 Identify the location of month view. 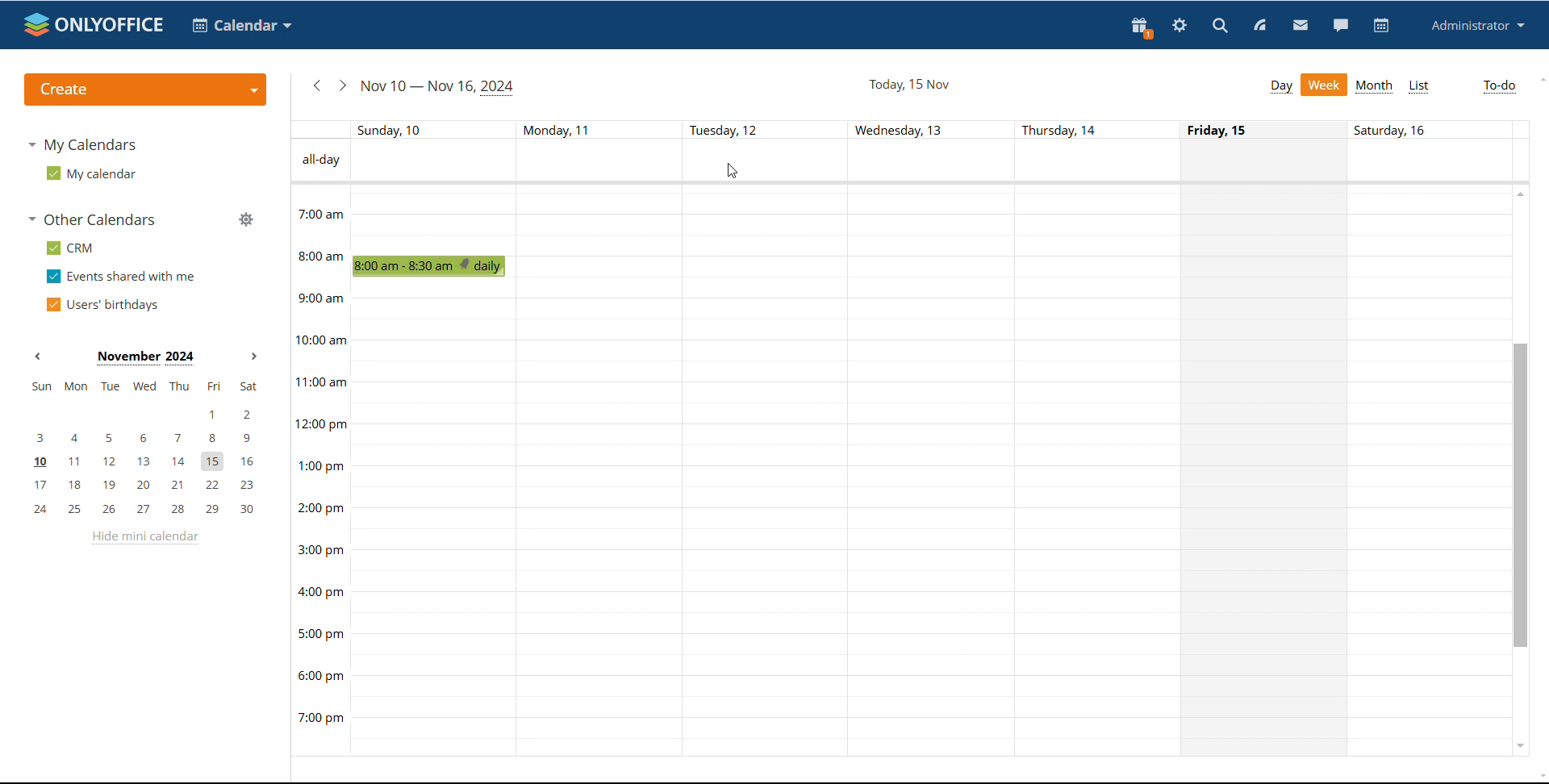
(1375, 87).